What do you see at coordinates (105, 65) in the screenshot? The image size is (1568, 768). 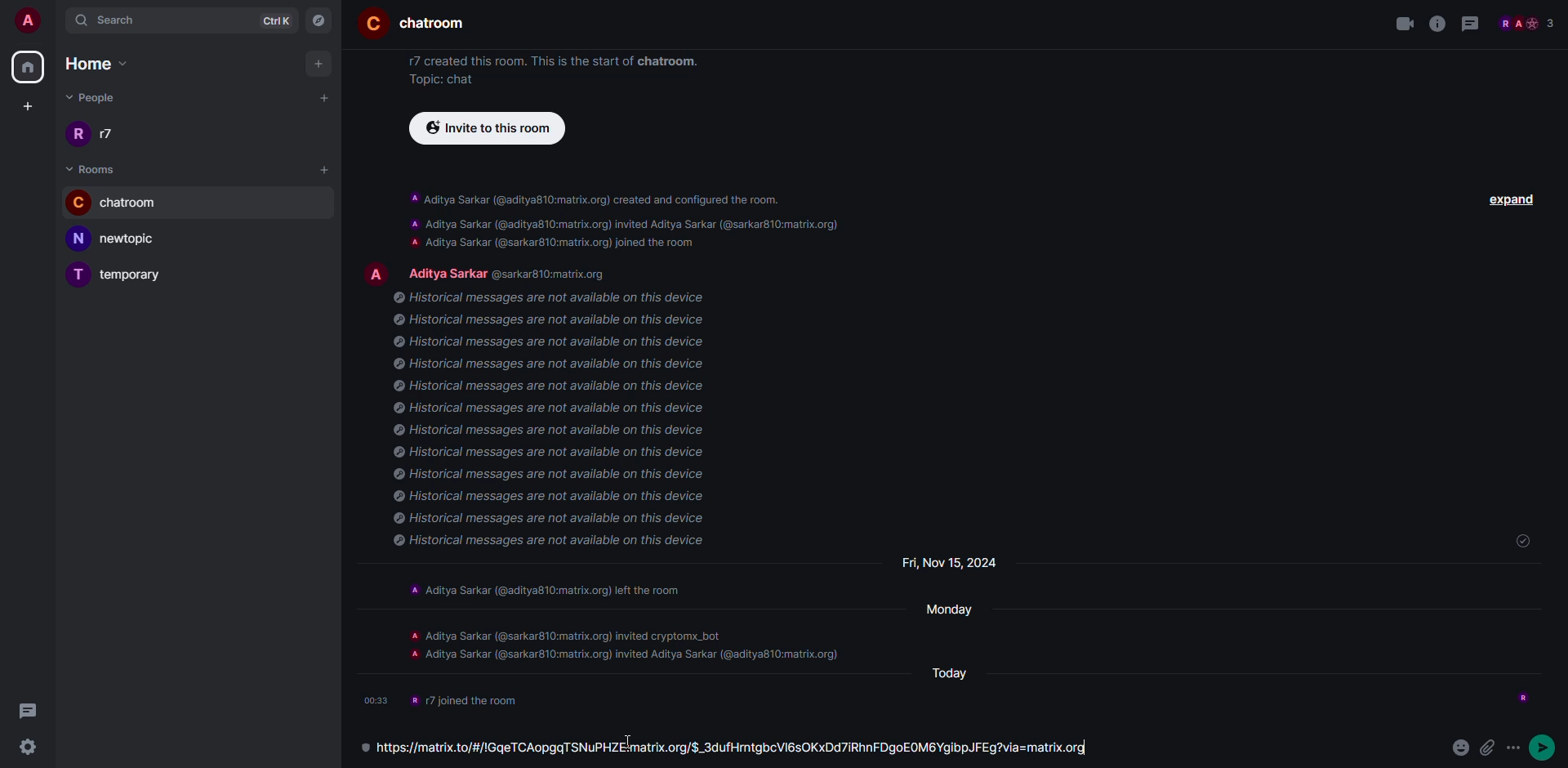 I see `home` at bounding box center [105, 65].